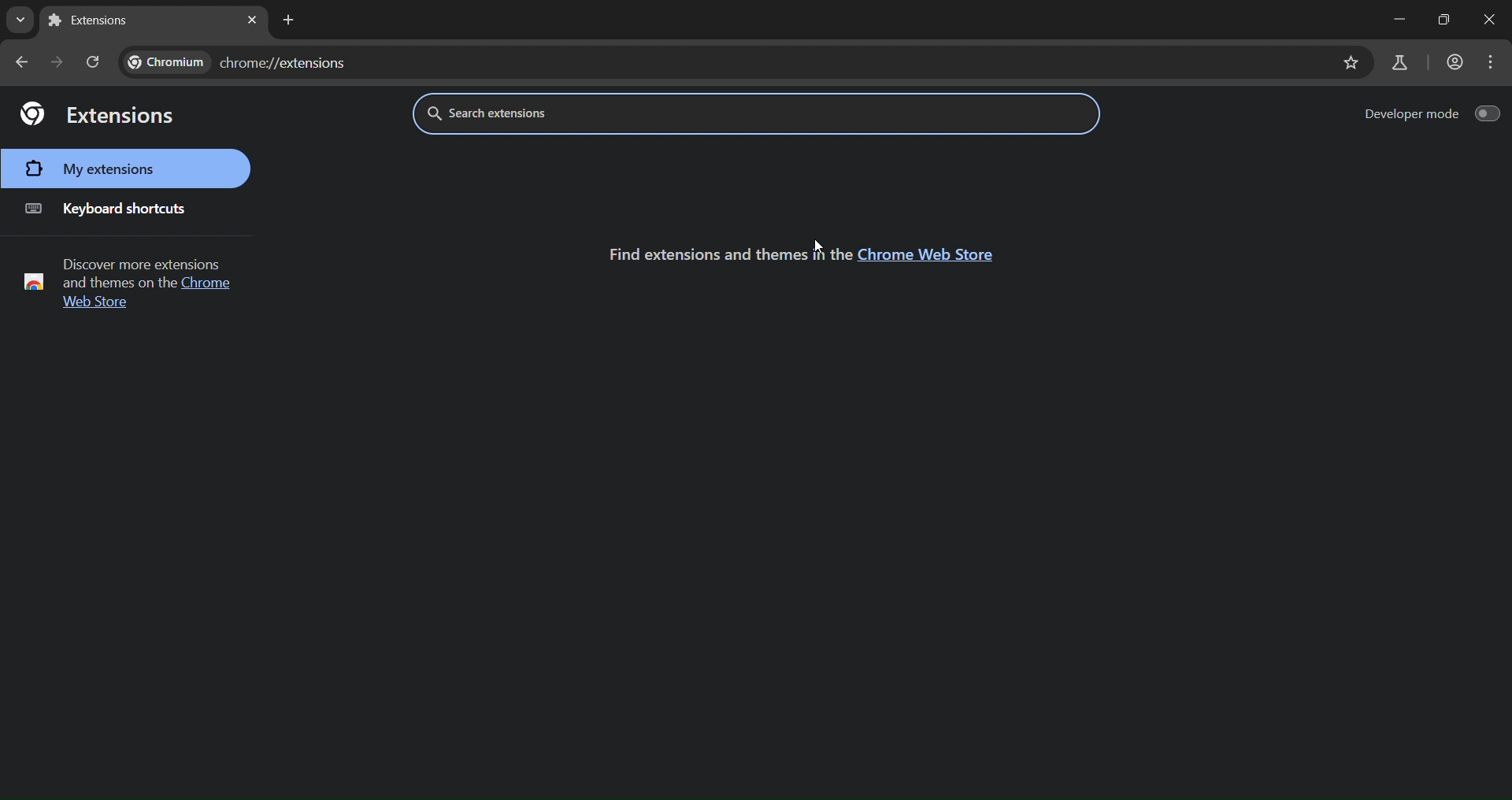 Image resolution: width=1512 pixels, height=800 pixels. What do you see at coordinates (124, 282) in the screenshot?
I see `text` at bounding box center [124, 282].